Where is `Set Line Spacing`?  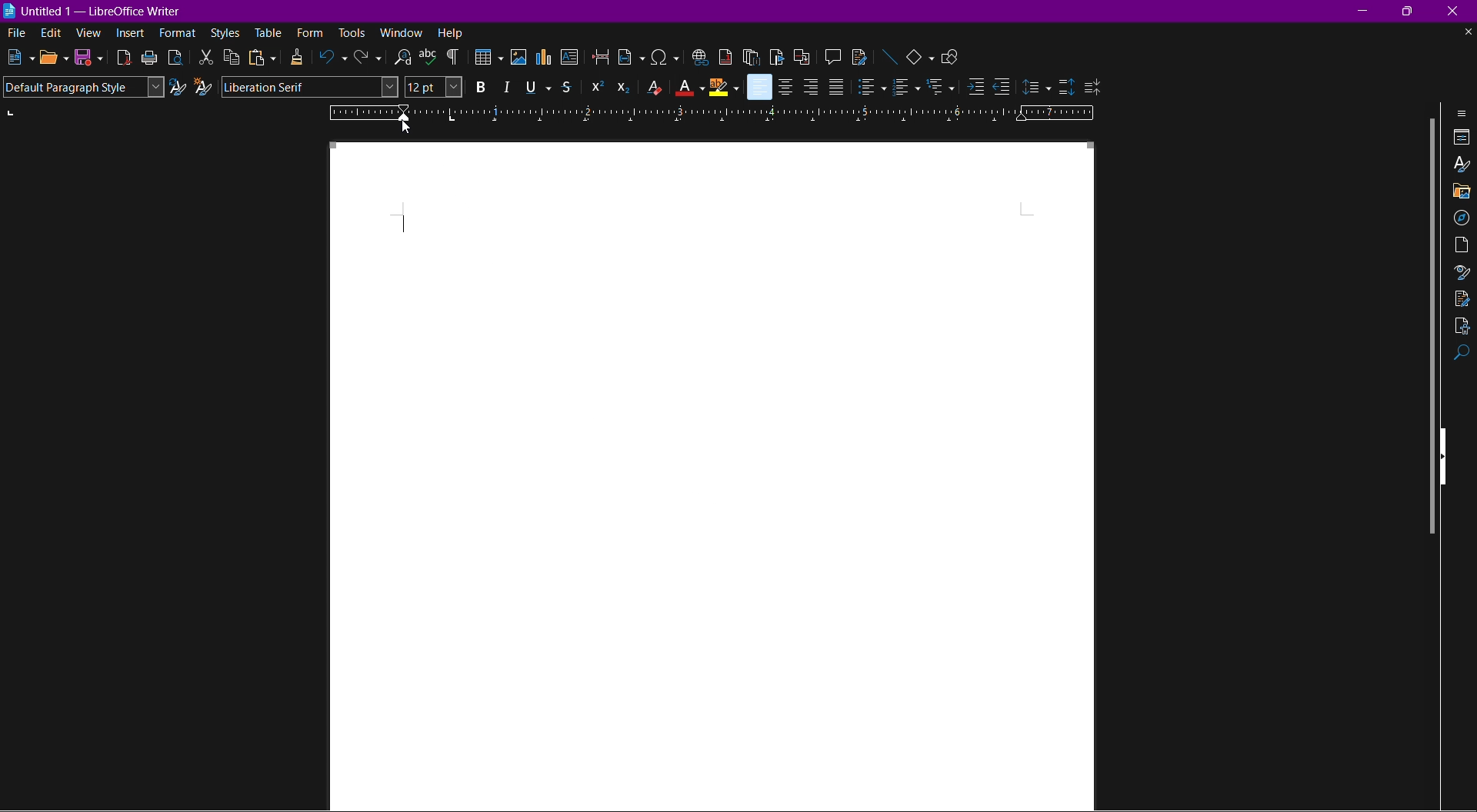
Set Line Spacing is located at coordinates (1036, 85).